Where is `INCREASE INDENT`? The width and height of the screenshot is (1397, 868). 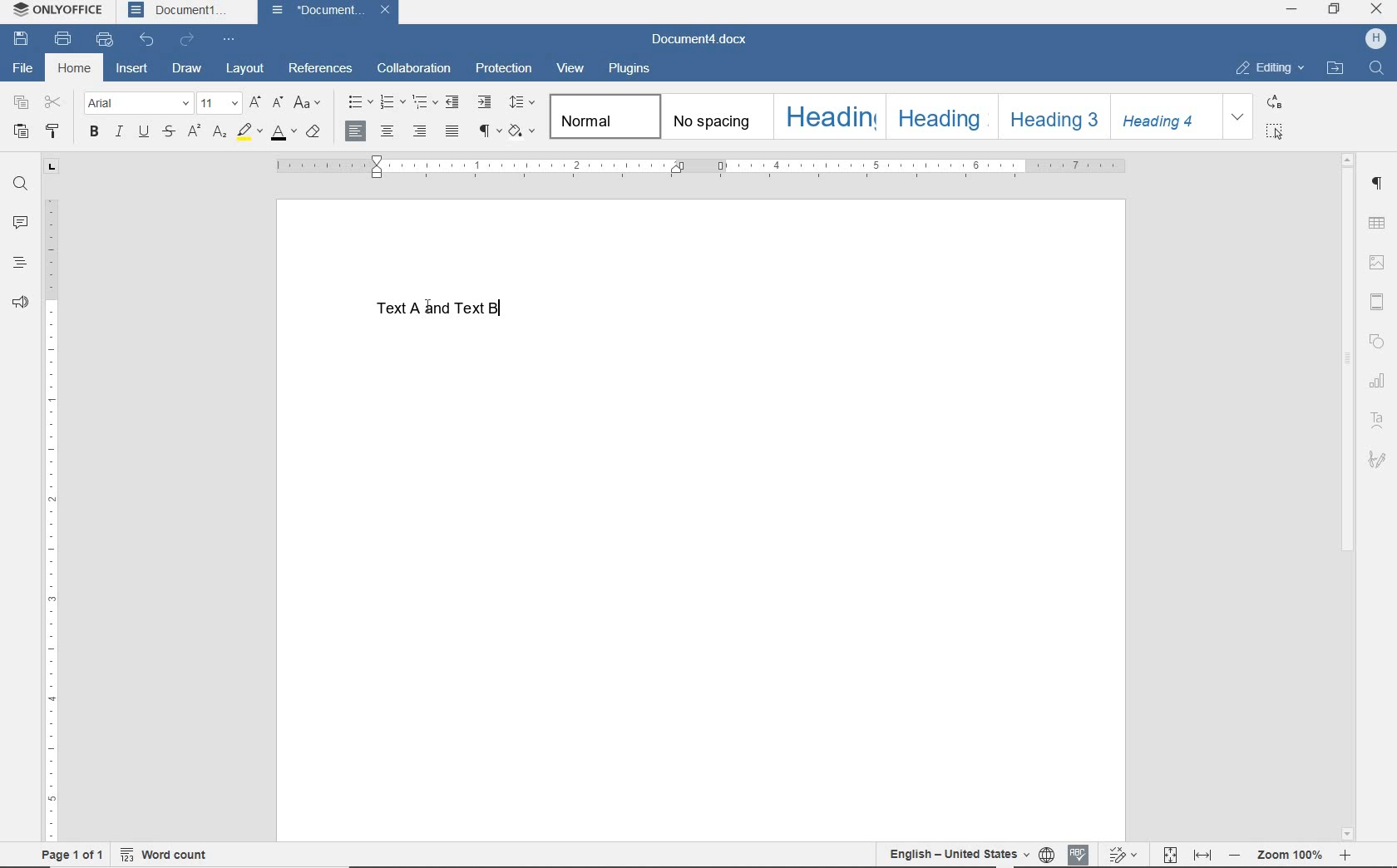 INCREASE INDENT is located at coordinates (485, 102).